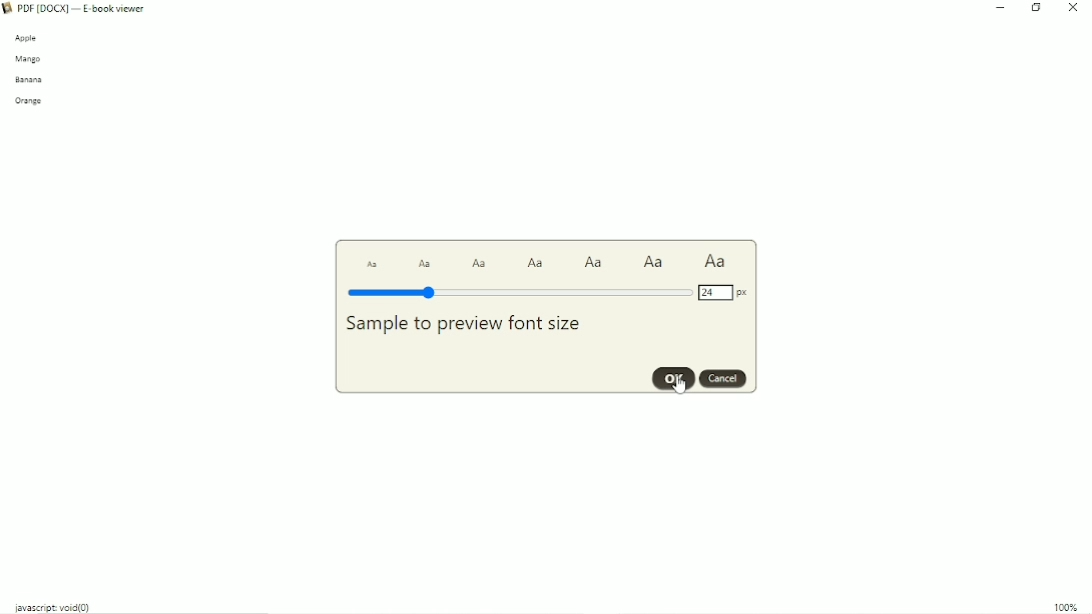 Image resolution: width=1092 pixels, height=614 pixels. Describe the element at coordinates (31, 101) in the screenshot. I see `orange` at that location.